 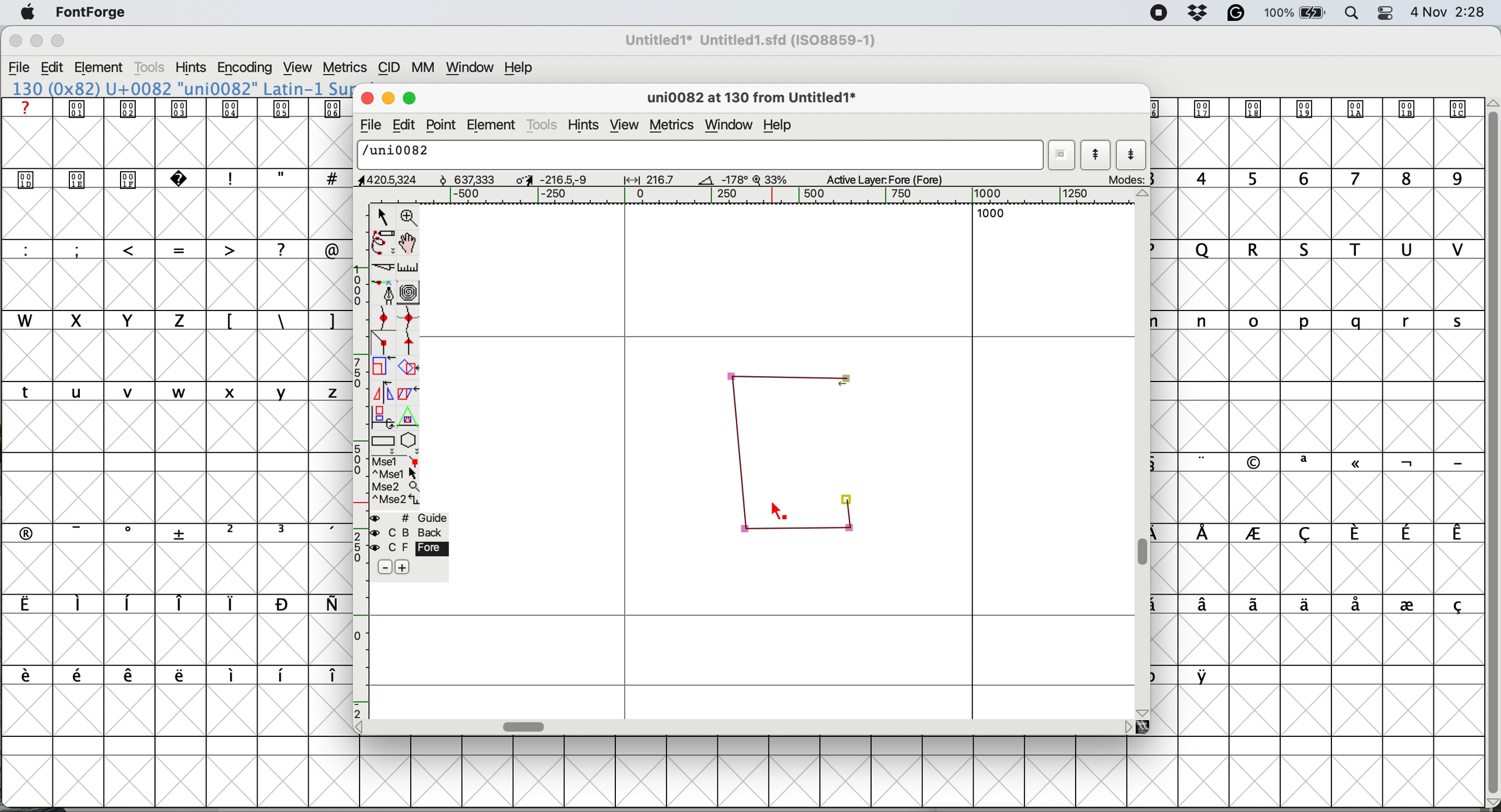 What do you see at coordinates (179, 108) in the screenshot?
I see `symbols` at bounding box center [179, 108].